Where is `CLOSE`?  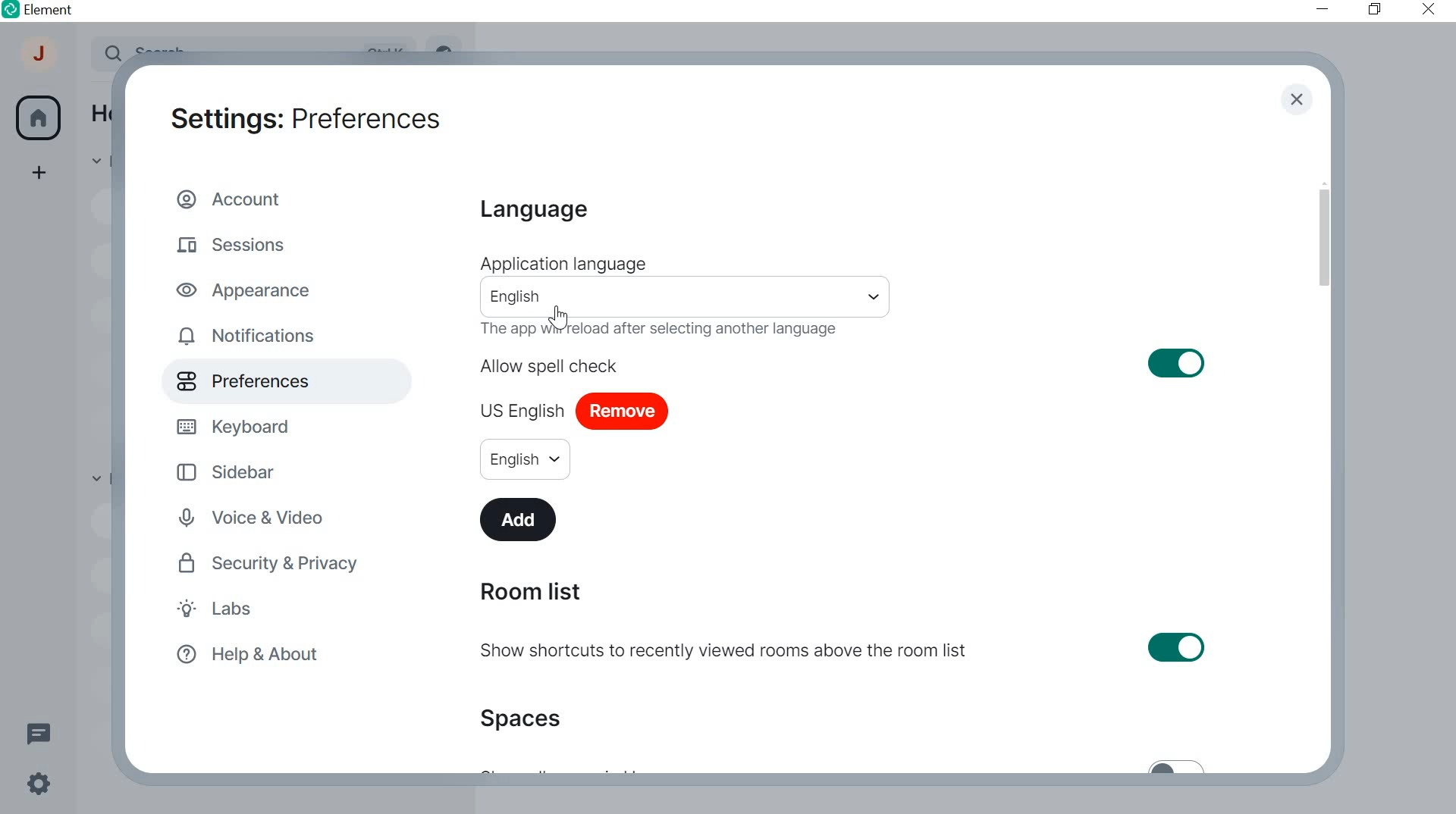 CLOSE is located at coordinates (1424, 8).